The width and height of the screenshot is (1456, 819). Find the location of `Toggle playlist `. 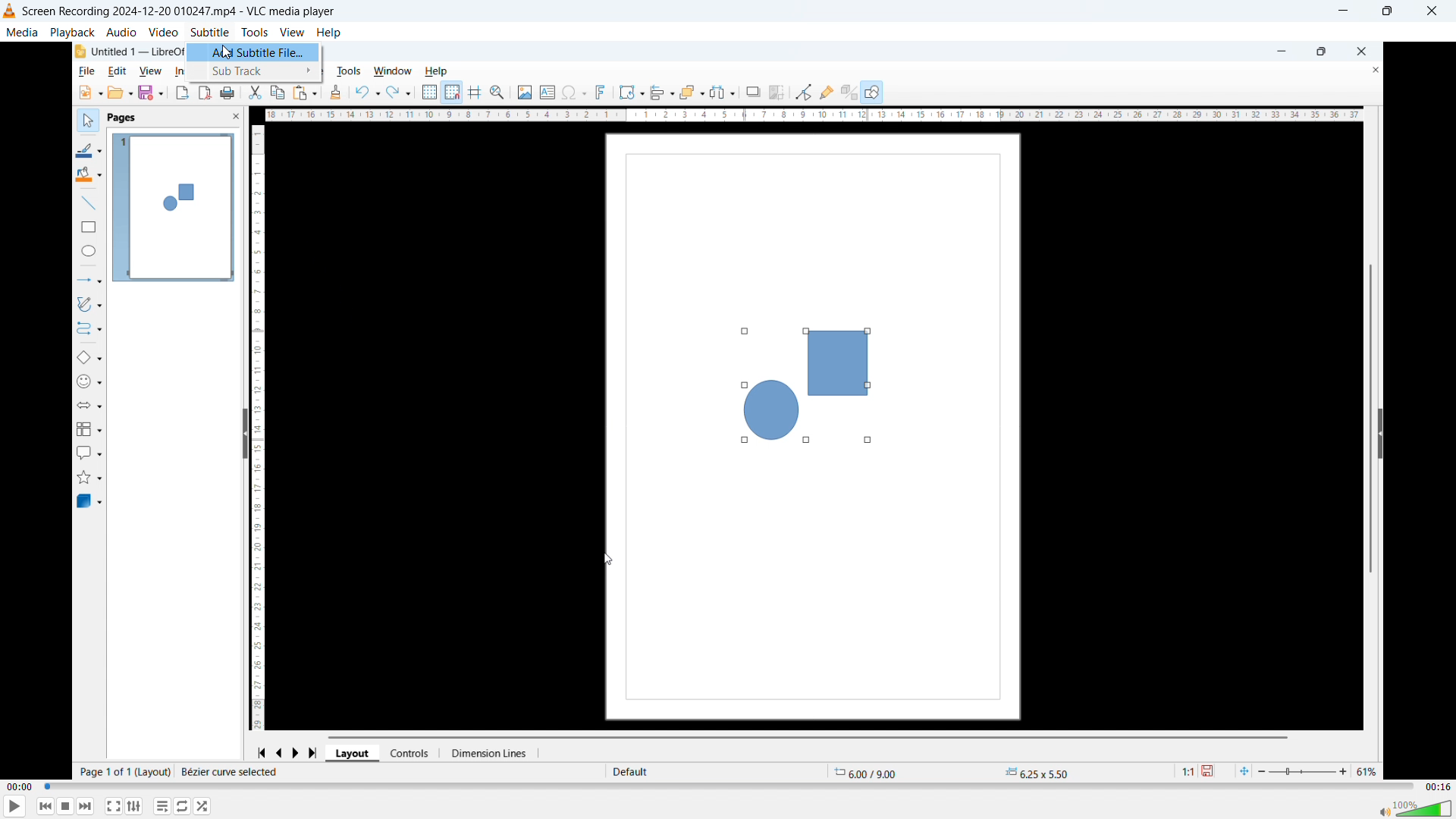

Toggle playlist  is located at coordinates (162, 807).